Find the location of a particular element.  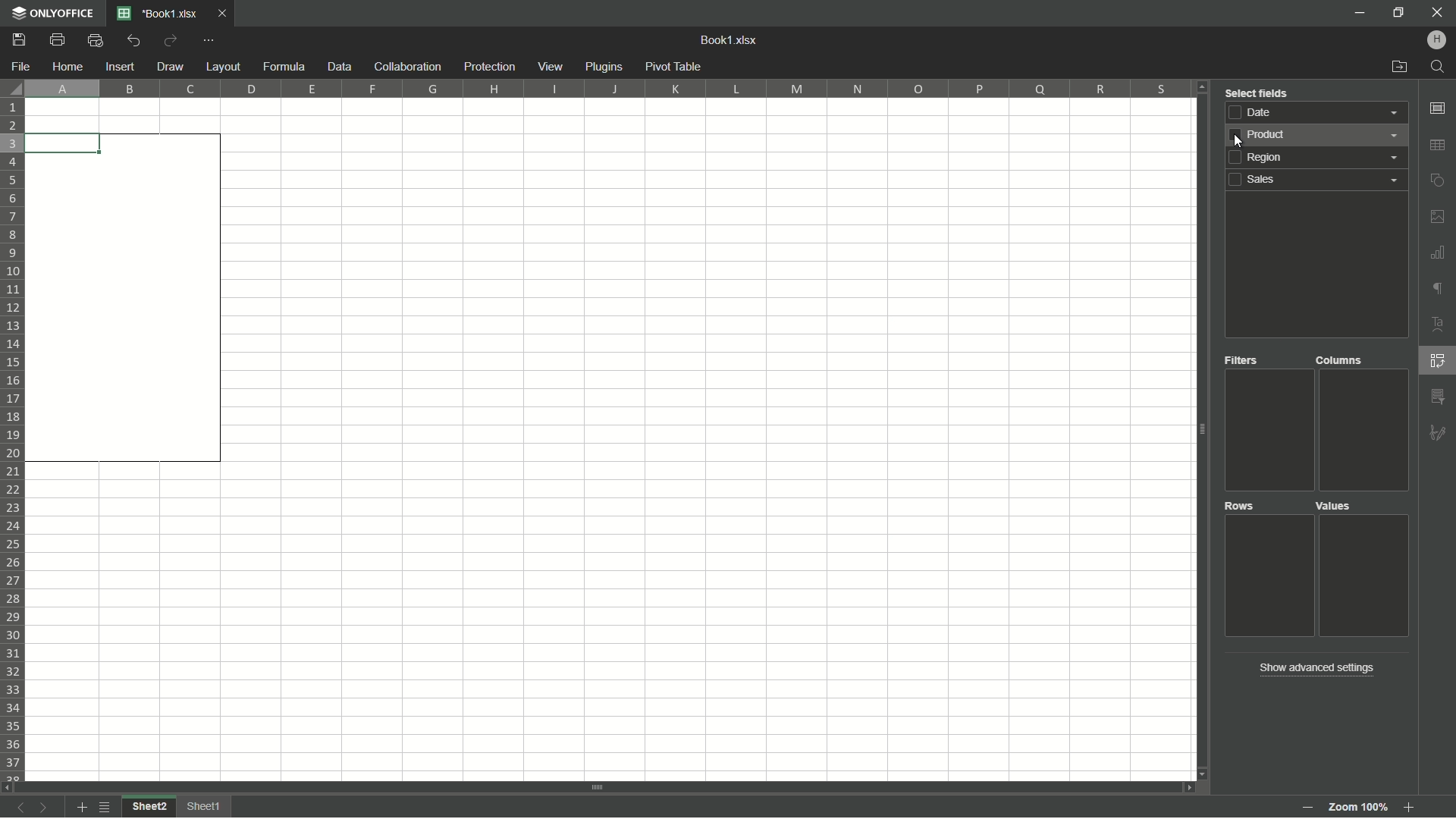

sheet1 is located at coordinates (207, 806).